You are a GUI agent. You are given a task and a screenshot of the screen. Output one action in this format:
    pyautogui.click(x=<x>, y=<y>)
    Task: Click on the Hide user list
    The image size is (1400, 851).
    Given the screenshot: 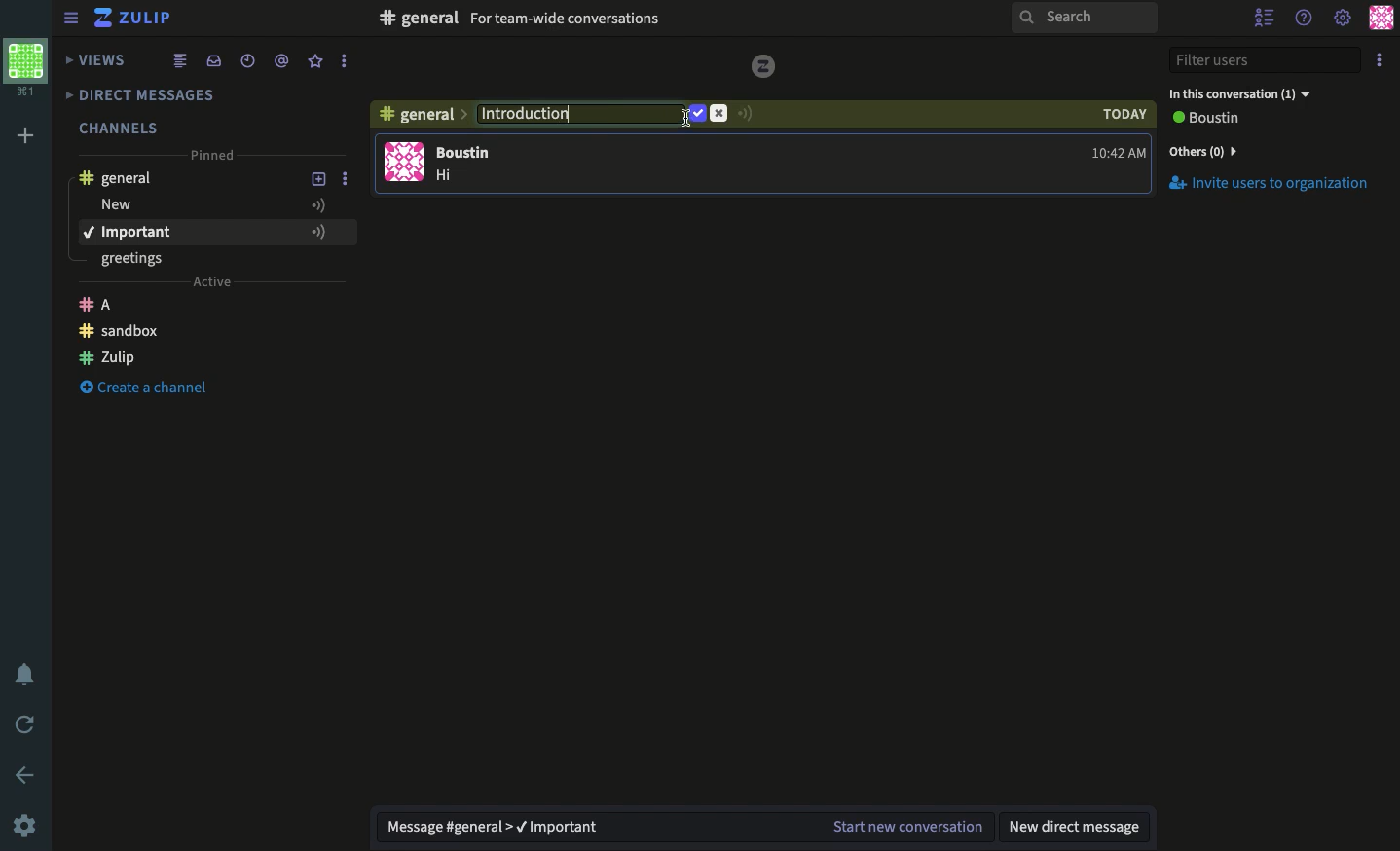 What is the action you would take?
    pyautogui.click(x=1264, y=18)
    